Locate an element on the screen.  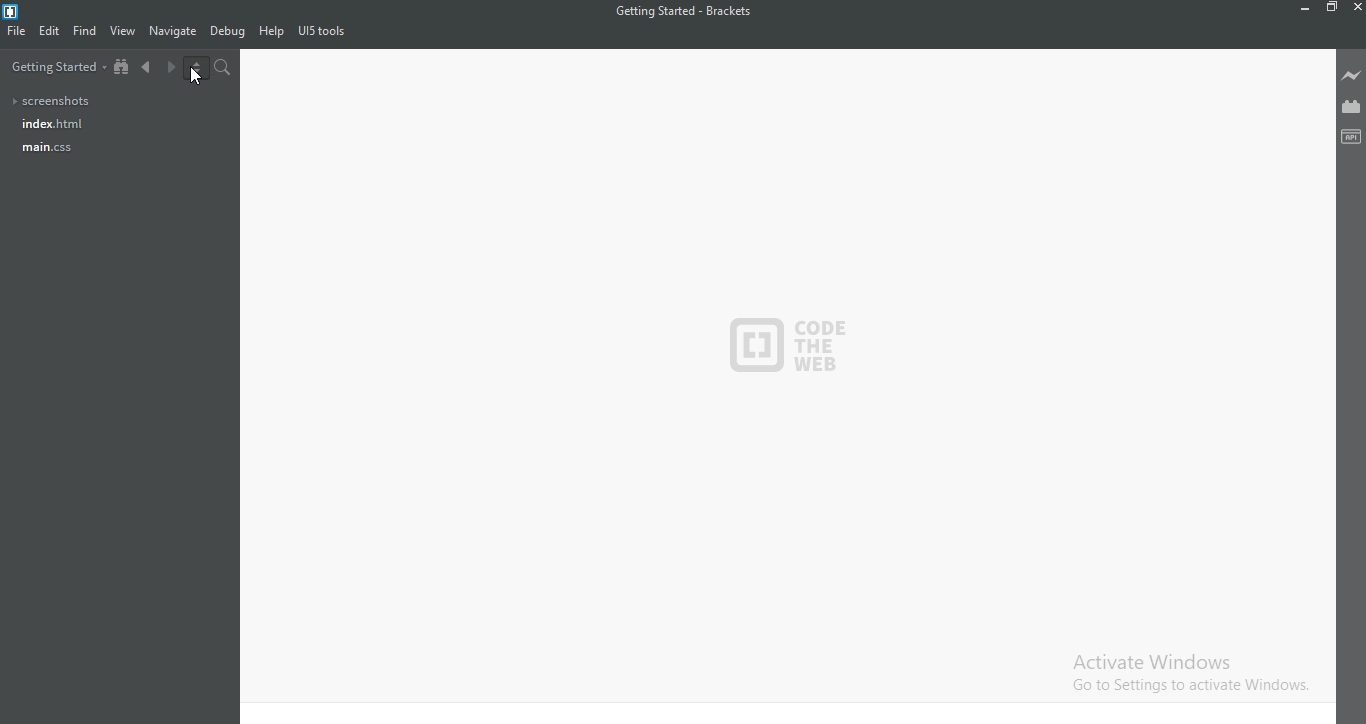
Show file tree is located at coordinates (123, 70).